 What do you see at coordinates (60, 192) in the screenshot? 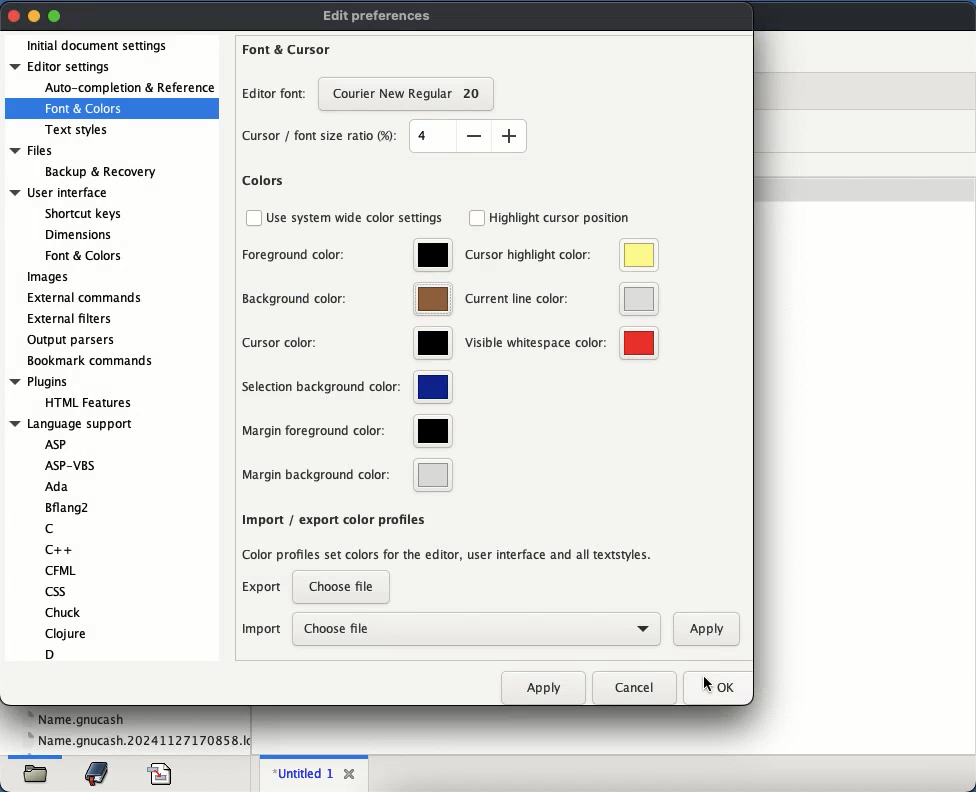
I see `User interface` at bounding box center [60, 192].